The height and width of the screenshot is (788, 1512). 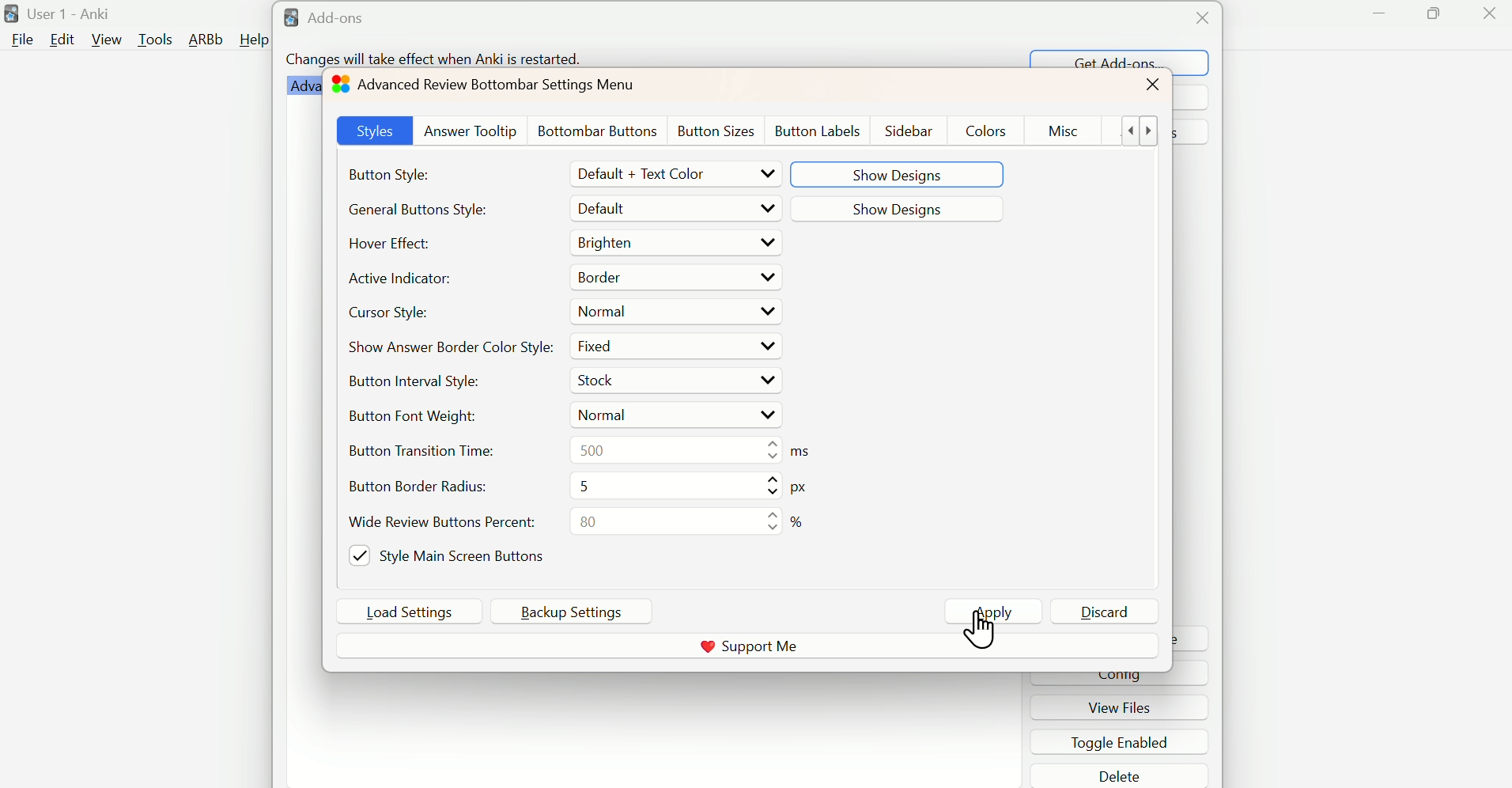 I want to click on Style Main Screen Buttons, so click(x=449, y=555).